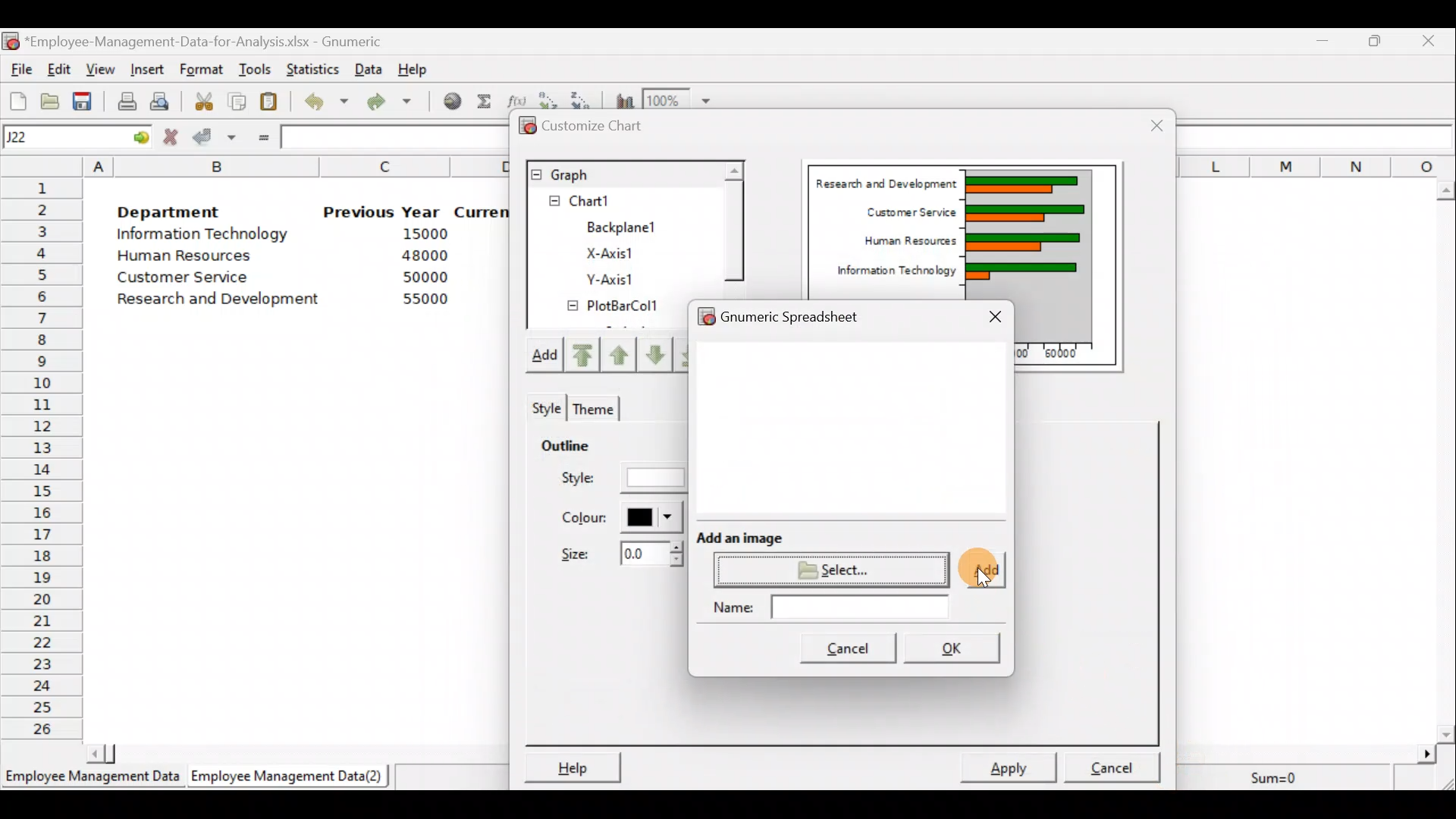 This screenshot has height=819, width=1456. Describe the element at coordinates (1447, 457) in the screenshot. I see `Scroll bar` at that location.